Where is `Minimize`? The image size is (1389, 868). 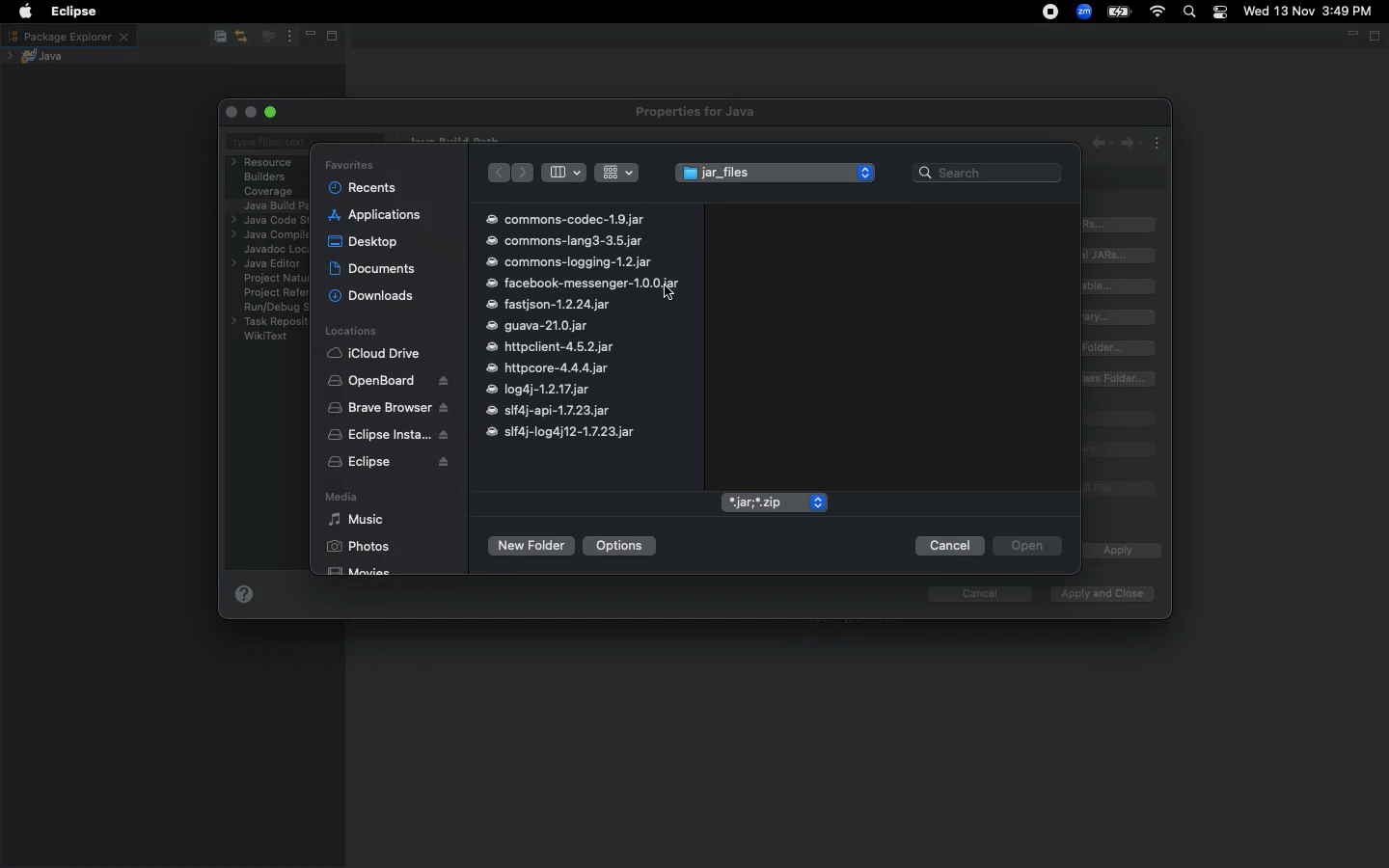
Minimize is located at coordinates (309, 37).